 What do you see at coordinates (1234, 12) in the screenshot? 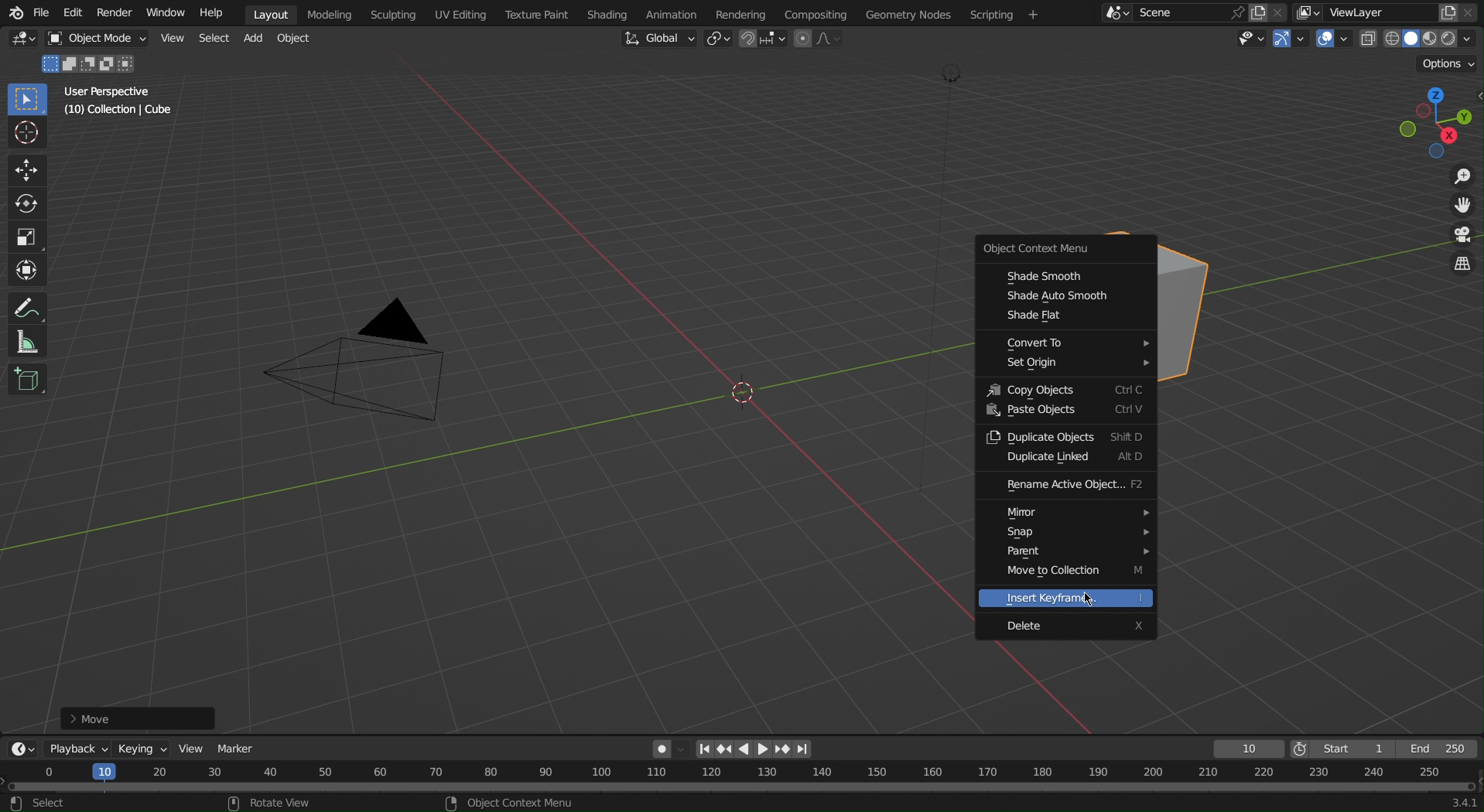
I see `pin` at bounding box center [1234, 12].